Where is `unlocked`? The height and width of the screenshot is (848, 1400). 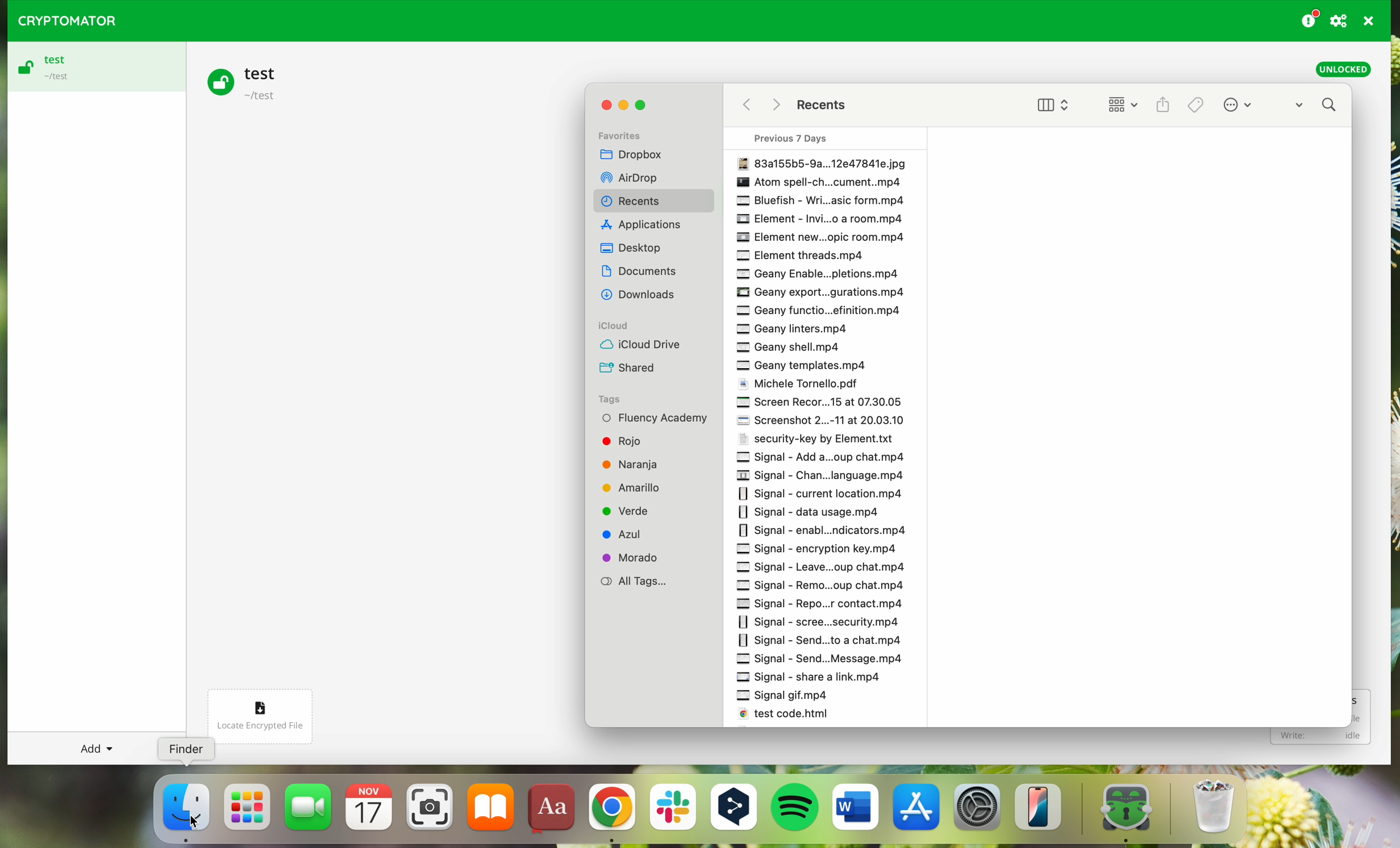 unlocked is located at coordinates (1343, 70).